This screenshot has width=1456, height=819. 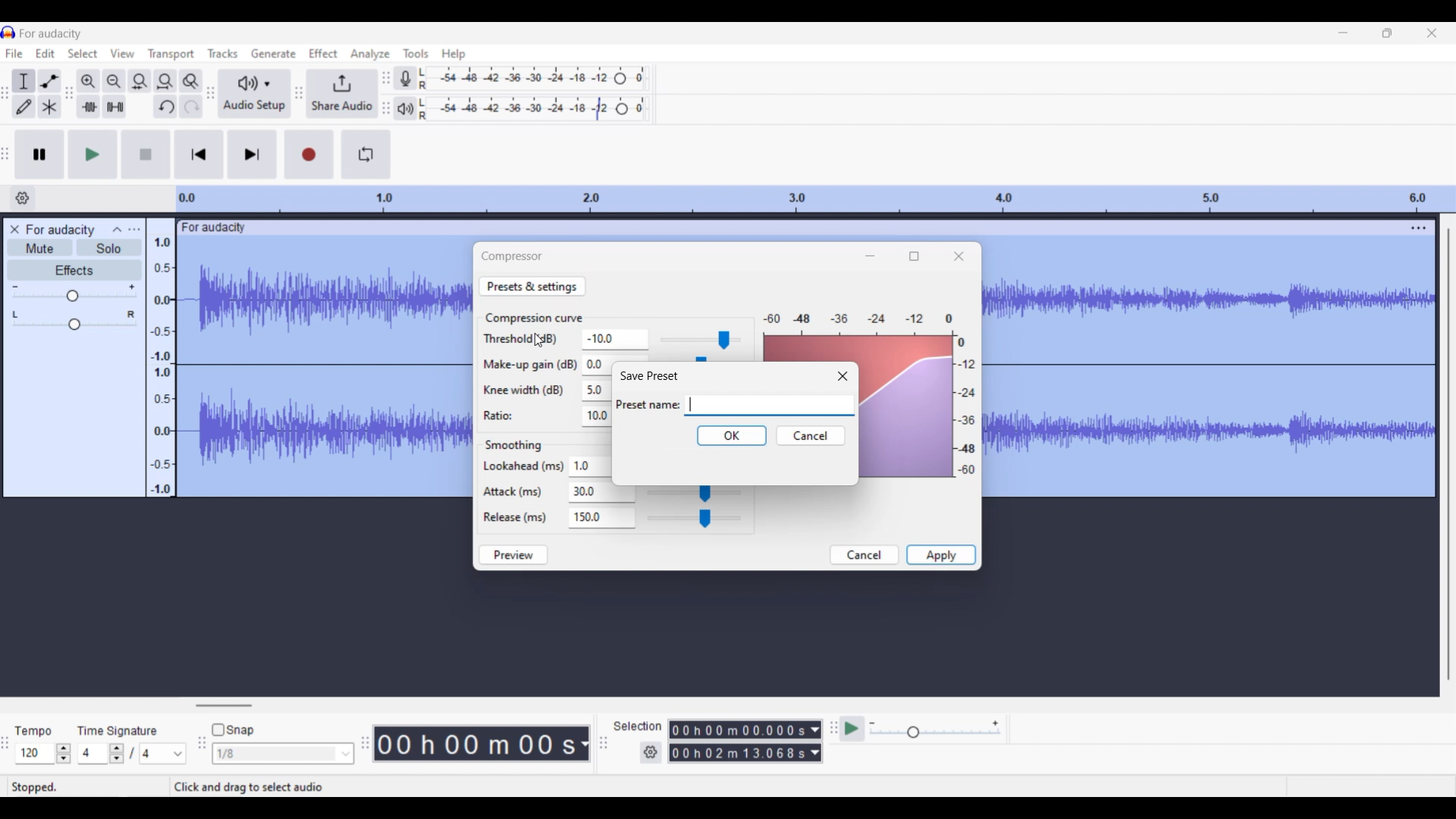 What do you see at coordinates (165, 80) in the screenshot?
I see `Fit project to width` at bounding box center [165, 80].